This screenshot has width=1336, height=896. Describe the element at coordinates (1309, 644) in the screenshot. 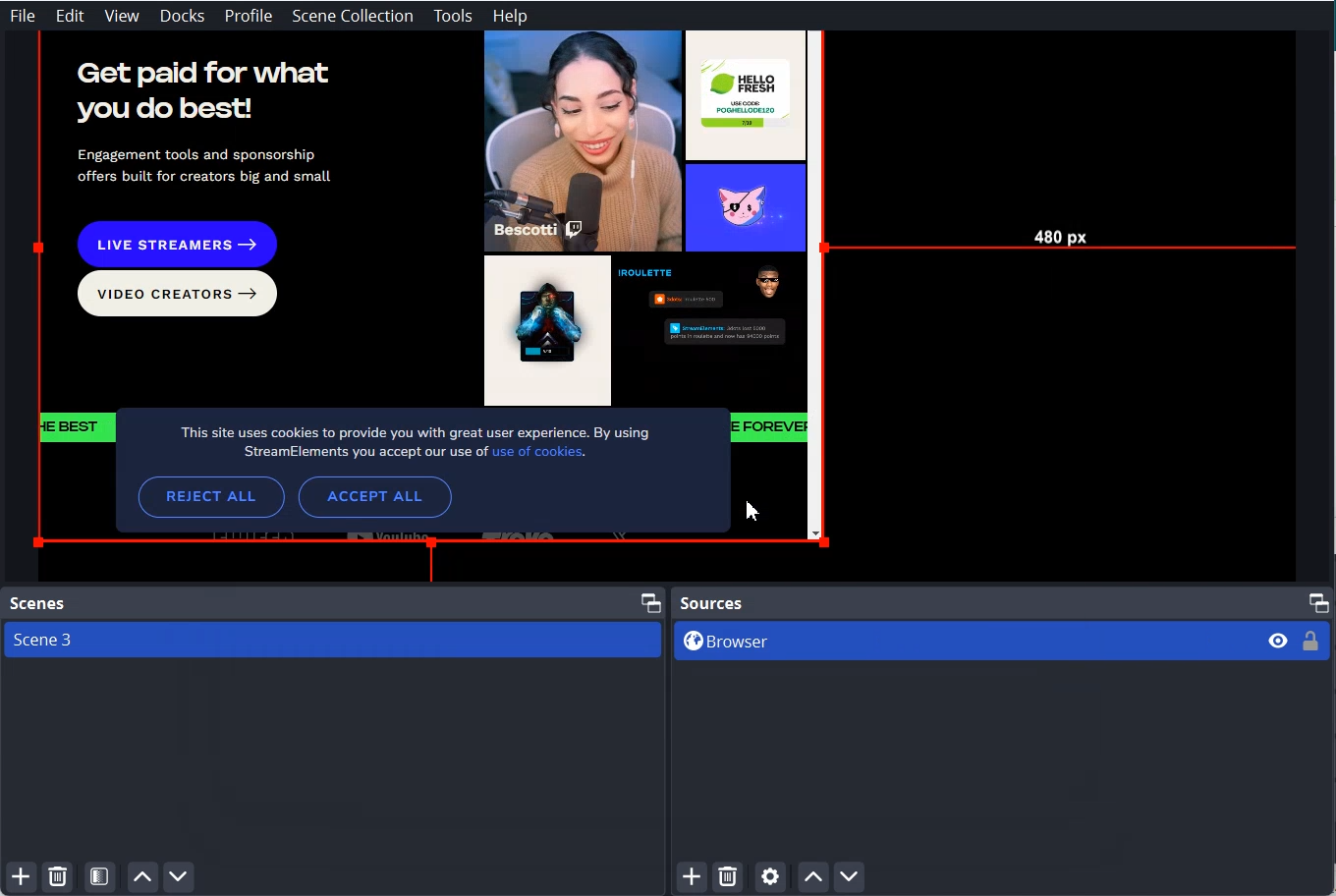

I see `lock` at that location.